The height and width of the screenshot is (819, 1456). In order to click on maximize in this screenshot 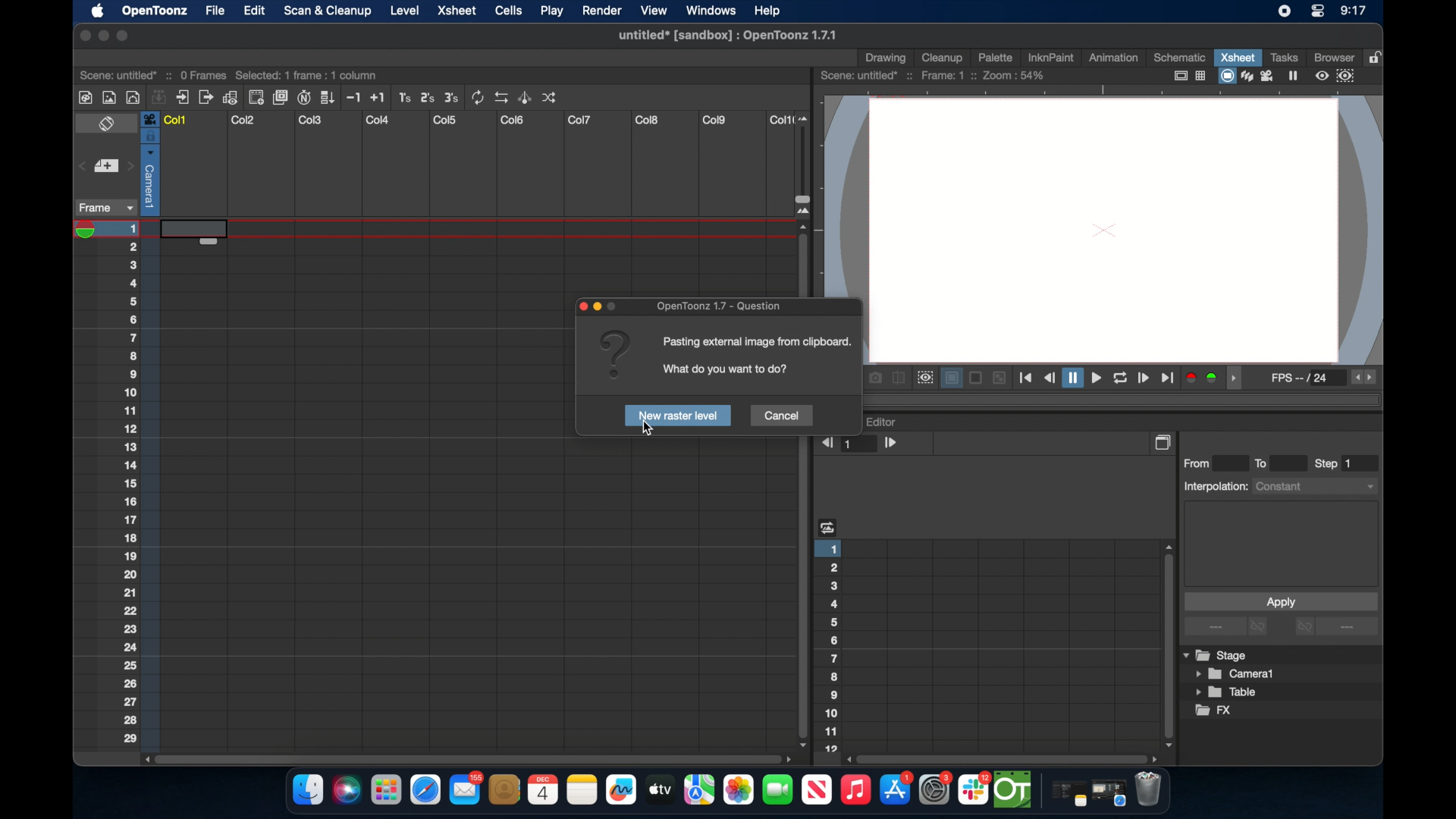, I will do `click(124, 36)`.